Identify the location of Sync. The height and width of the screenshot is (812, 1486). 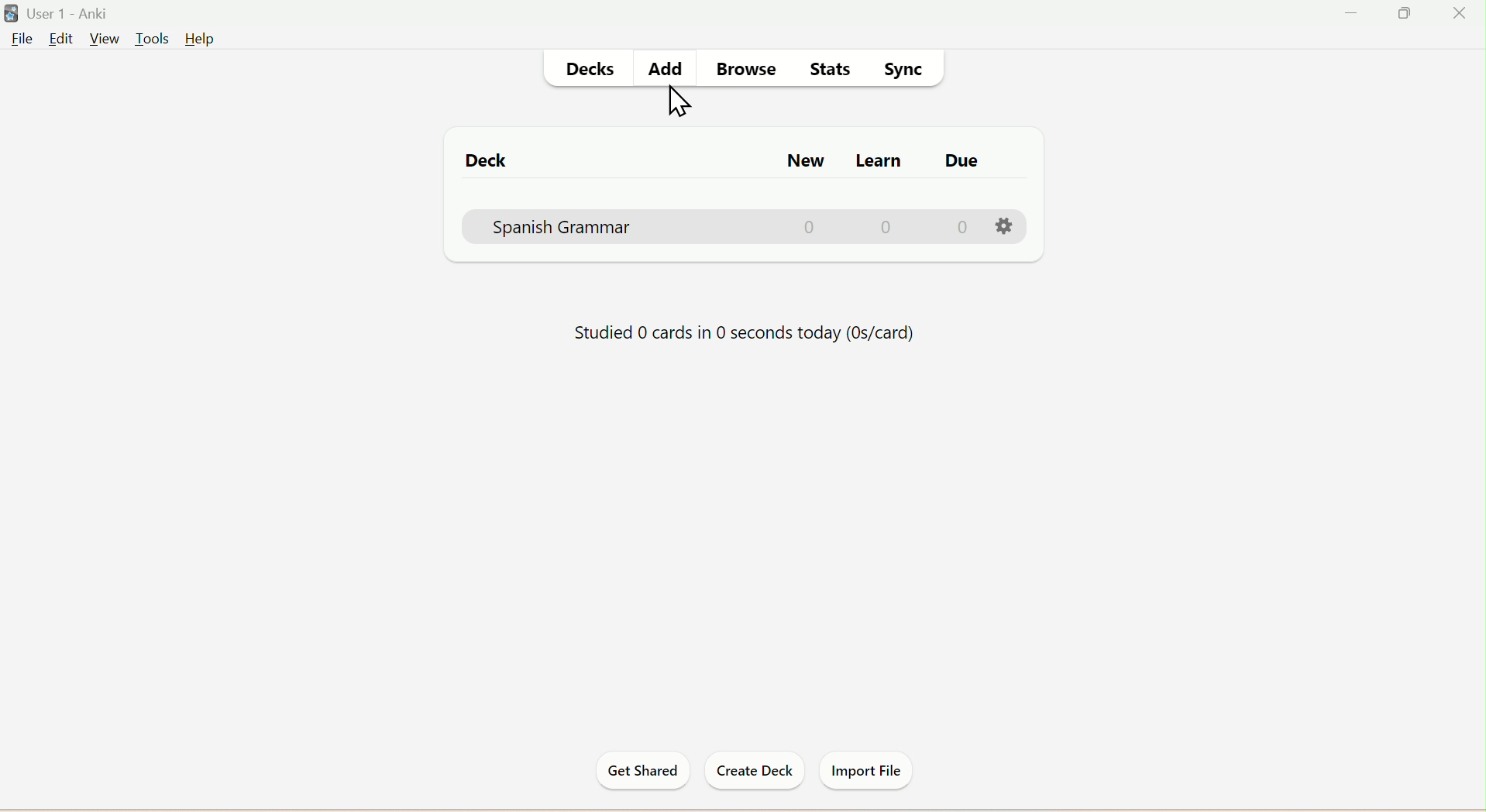
(904, 68).